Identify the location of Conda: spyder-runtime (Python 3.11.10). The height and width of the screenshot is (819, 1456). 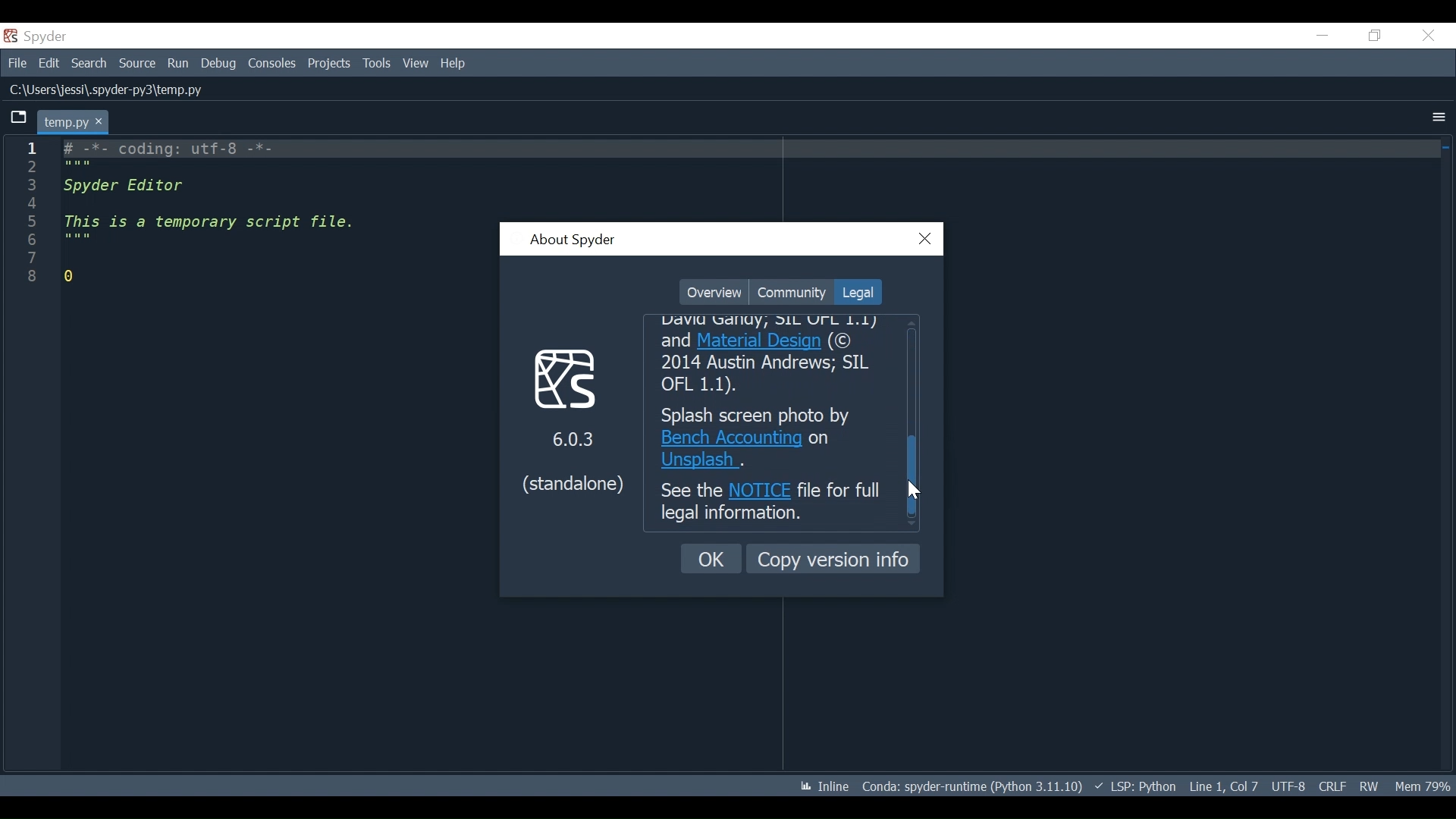
(973, 789).